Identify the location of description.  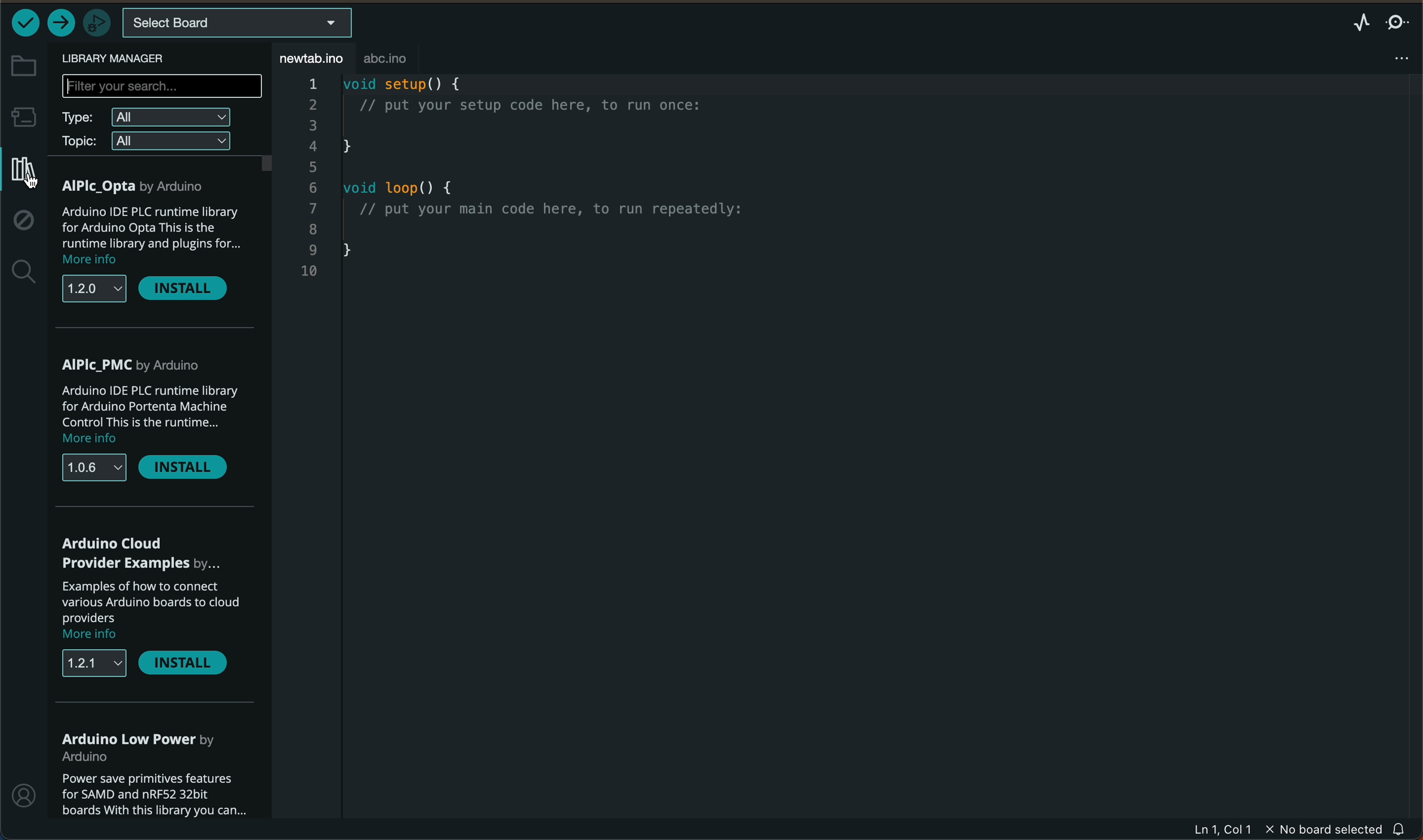
(151, 794).